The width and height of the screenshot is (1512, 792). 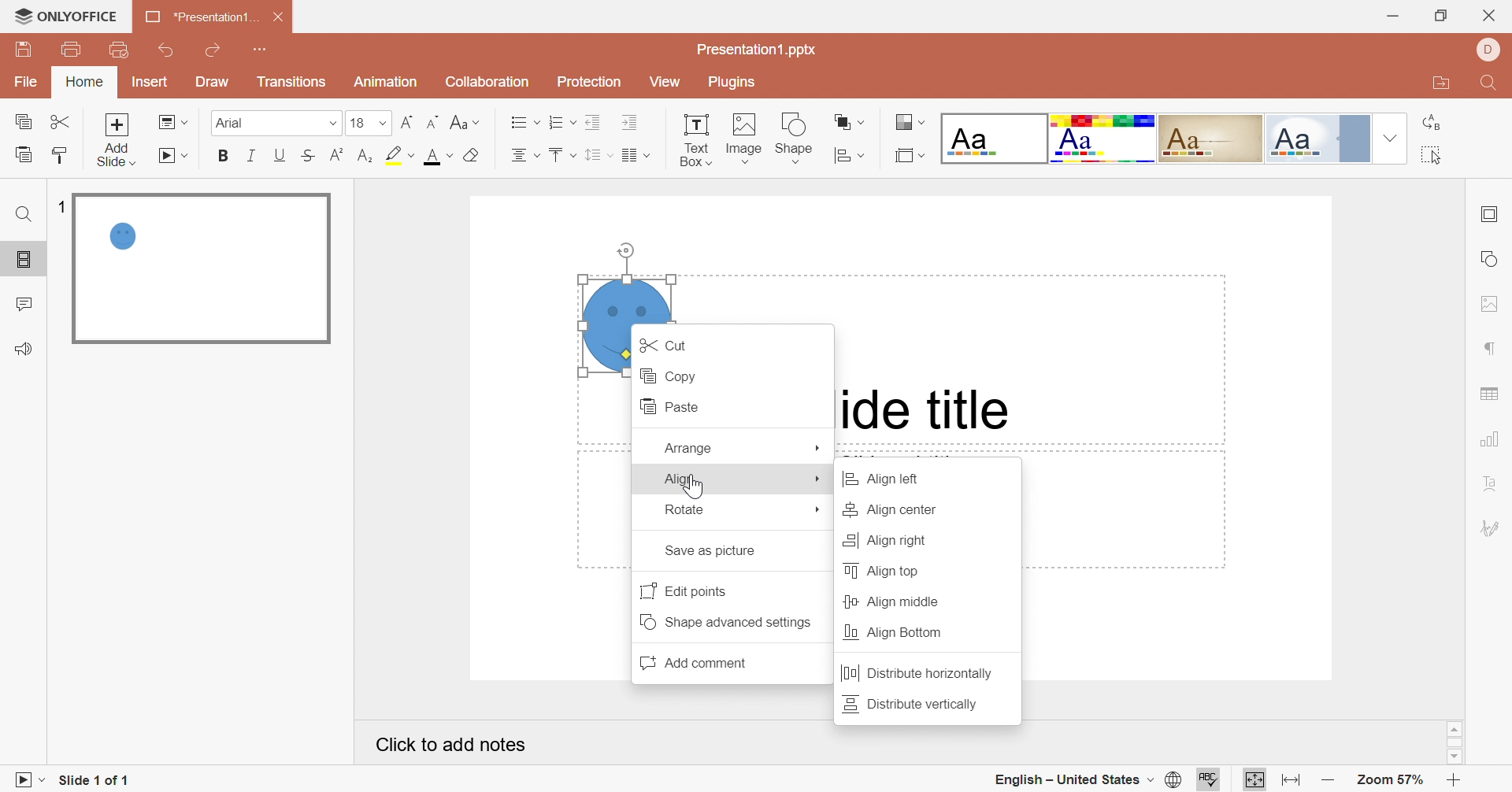 What do you see at coordinates (462, 121) in the screenshot?
I see `Change case` at bounding box center [462, 121].